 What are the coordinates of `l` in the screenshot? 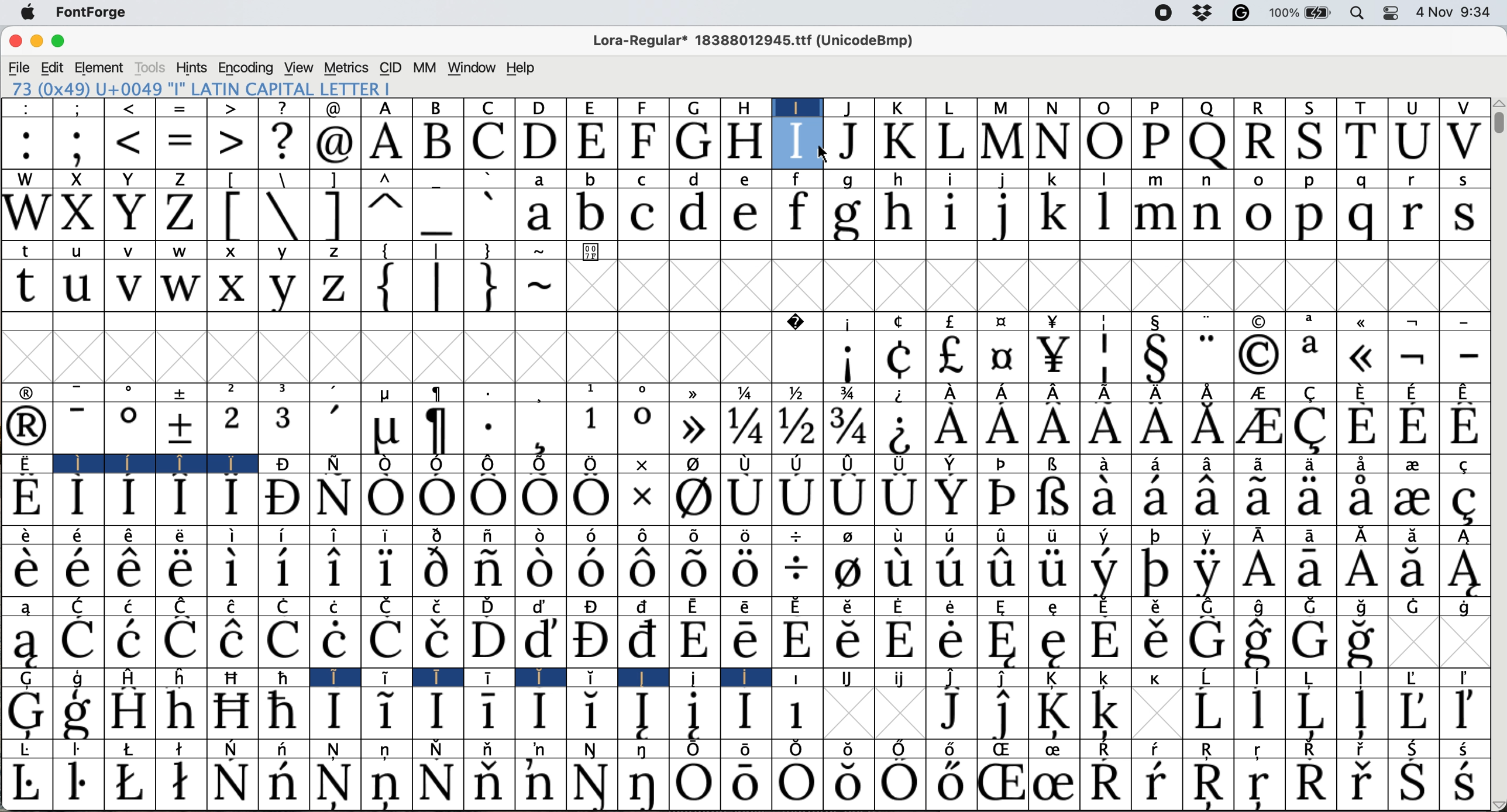 It's located at (1105, 180).